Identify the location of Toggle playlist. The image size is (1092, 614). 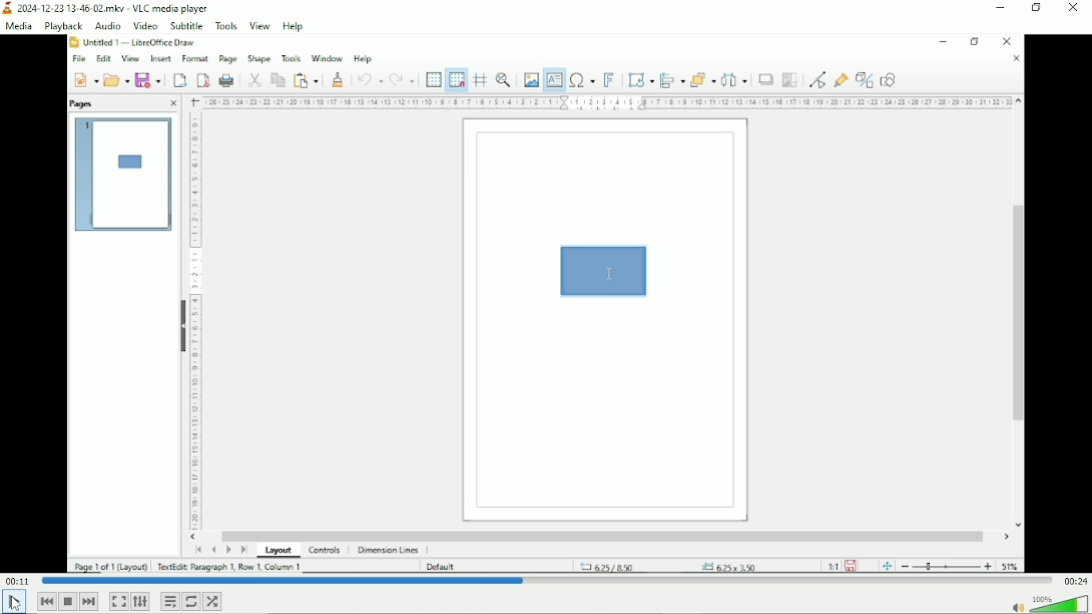
(169, 601).